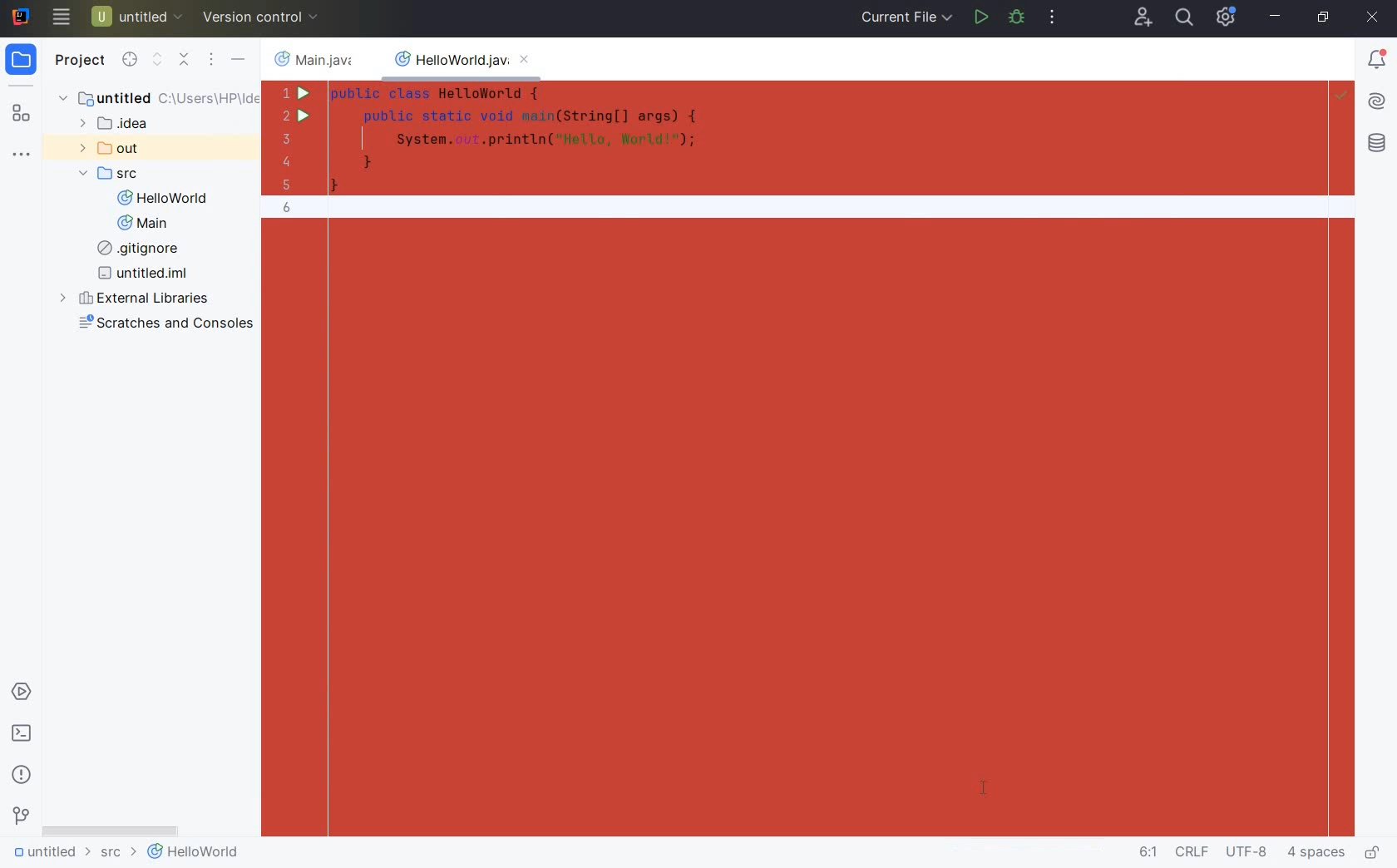 Image resolution: width=1397 pixels, height=868 pixels. Describe the element at coordinates (143, 225) in the screenshot. I see `Main` at that location.